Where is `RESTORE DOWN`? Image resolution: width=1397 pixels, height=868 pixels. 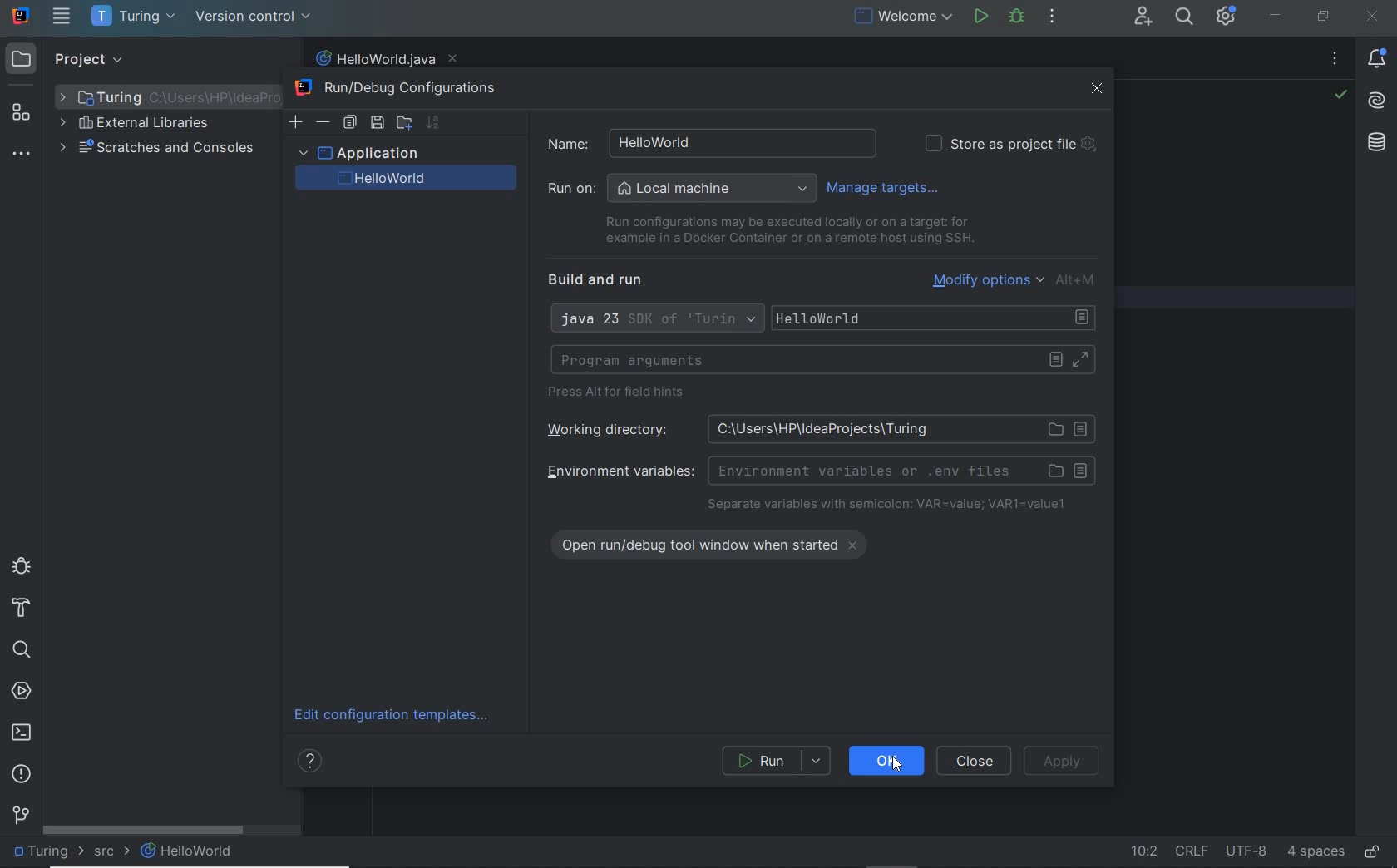
RESTORE DOWN is located at coordinates (1324, 16).